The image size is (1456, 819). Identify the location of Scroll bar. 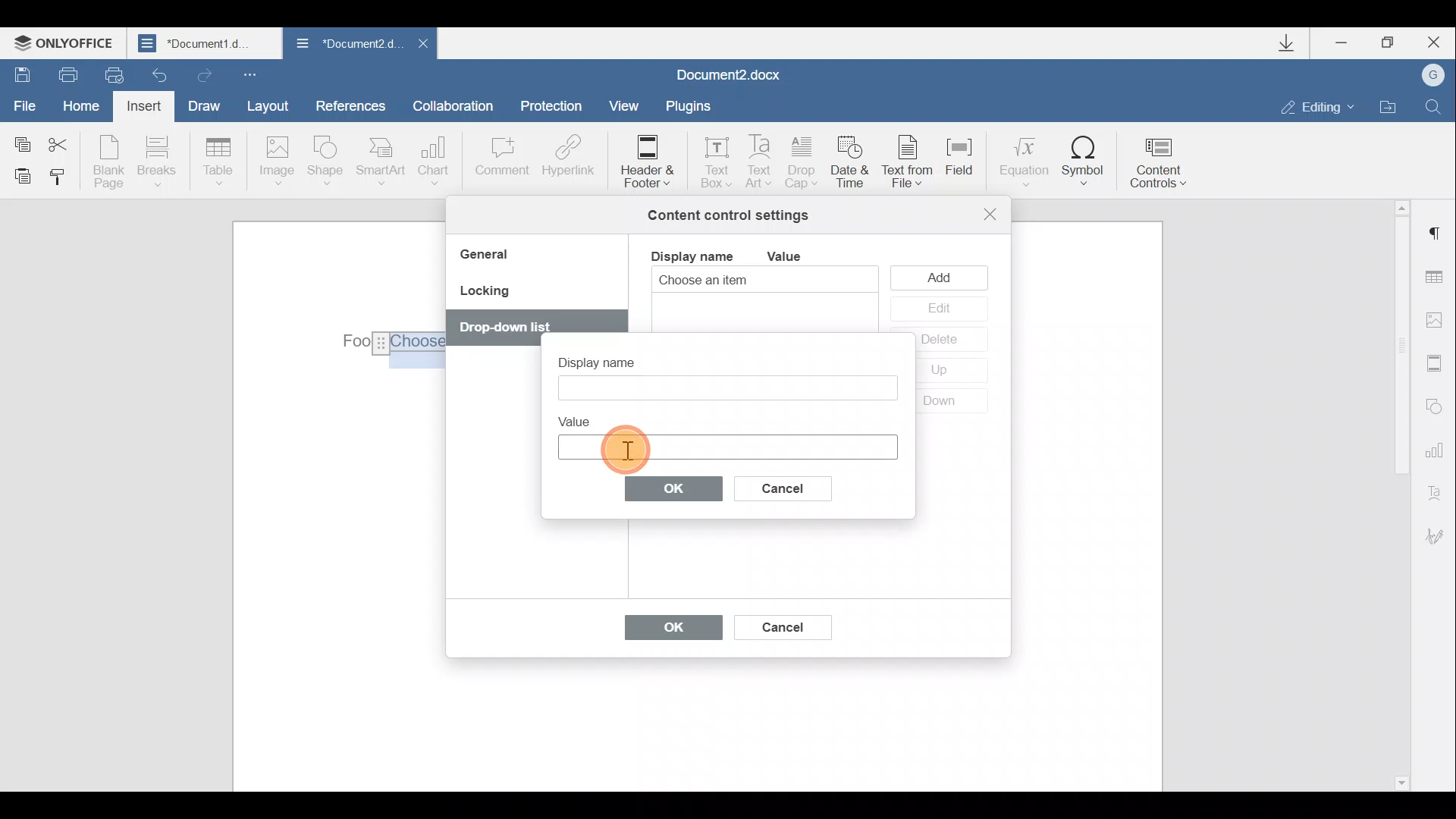
(1397, 493).